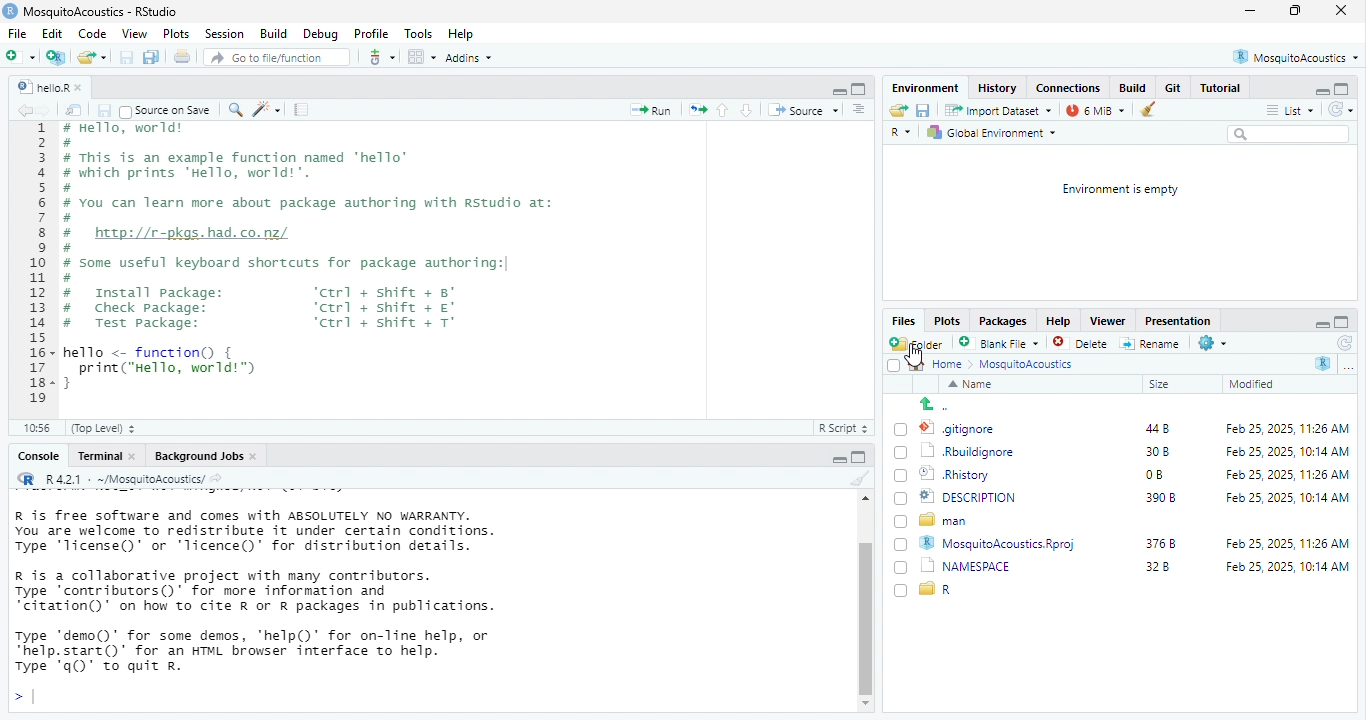 The width and height of the screenshot is (1366, 720). I want to click on compile report, so click(303, 111).